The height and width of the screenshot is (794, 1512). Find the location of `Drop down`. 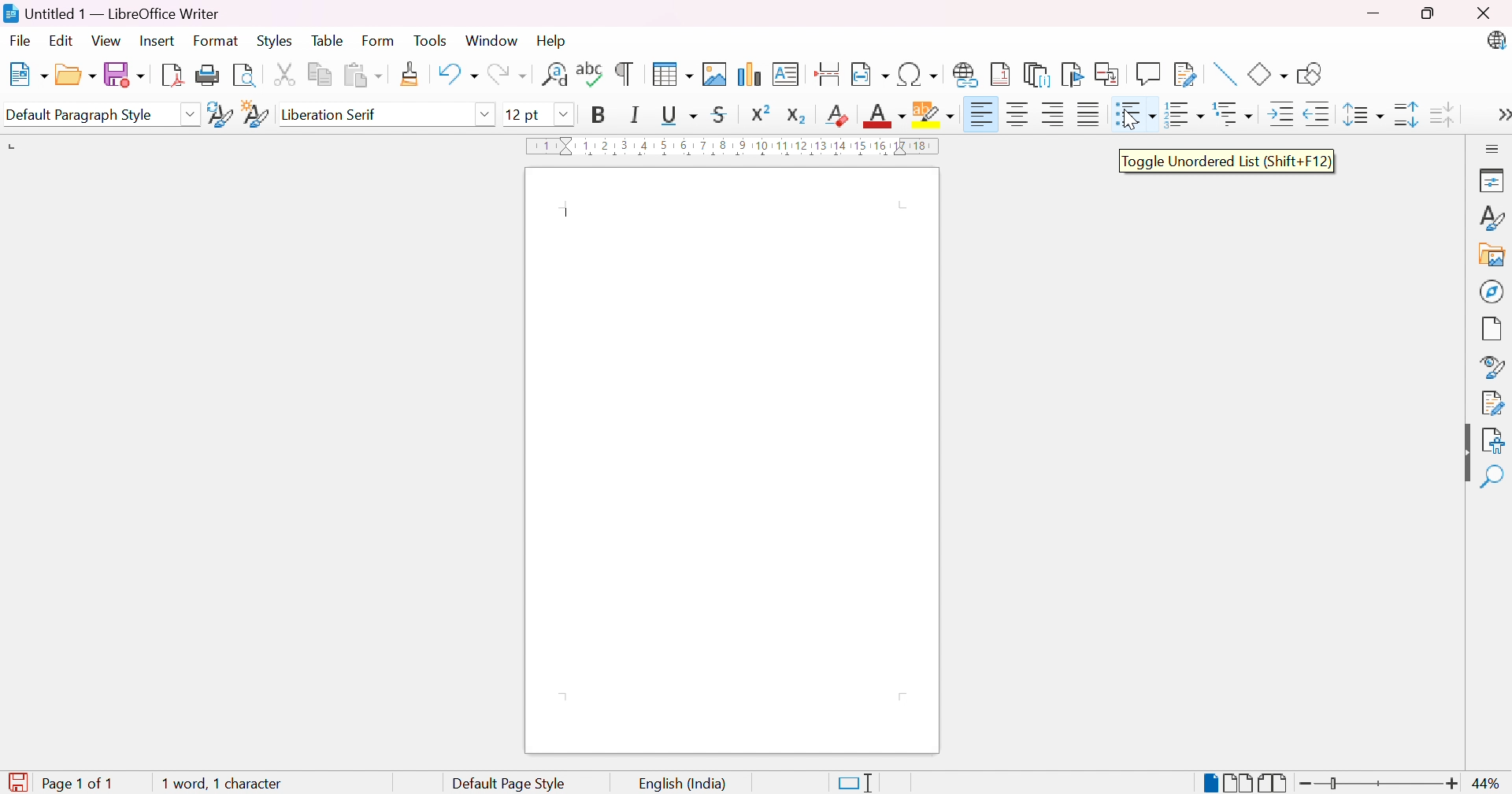

Drop down is located at coordinates (190, 113).